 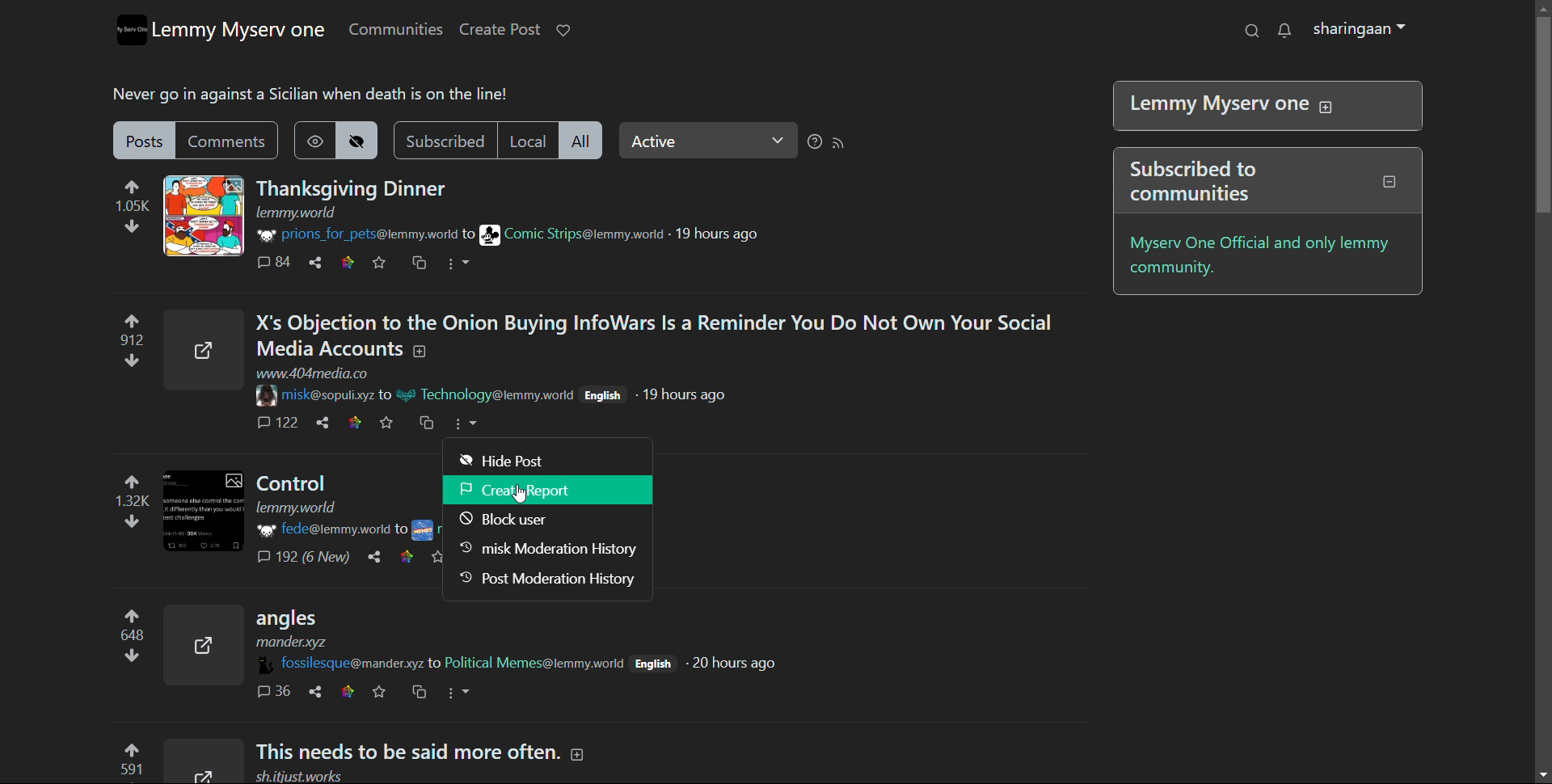 I want to click on cross post, so click(x=420, y=693).